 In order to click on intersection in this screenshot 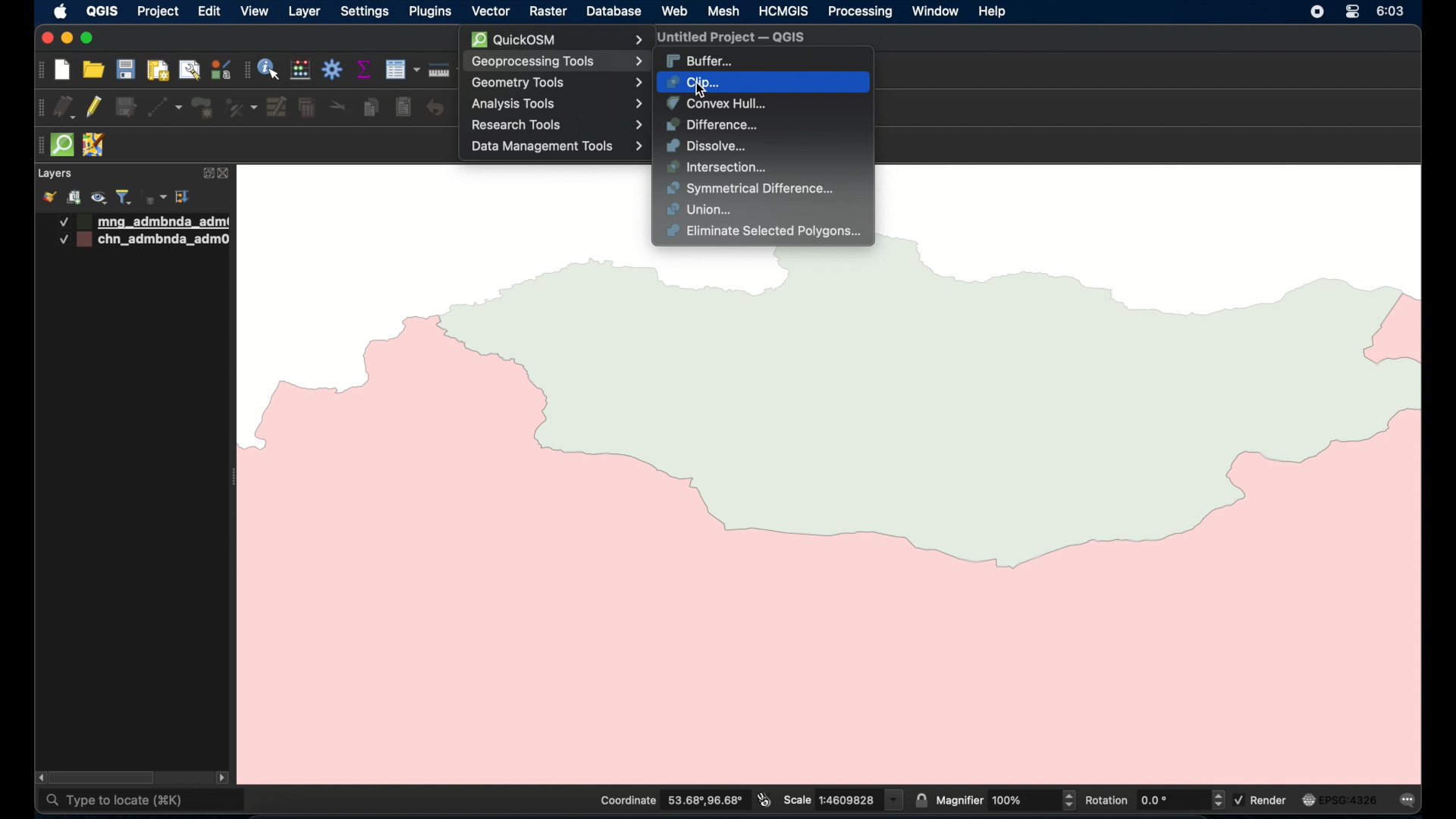, I will do `click(718, 168)`.